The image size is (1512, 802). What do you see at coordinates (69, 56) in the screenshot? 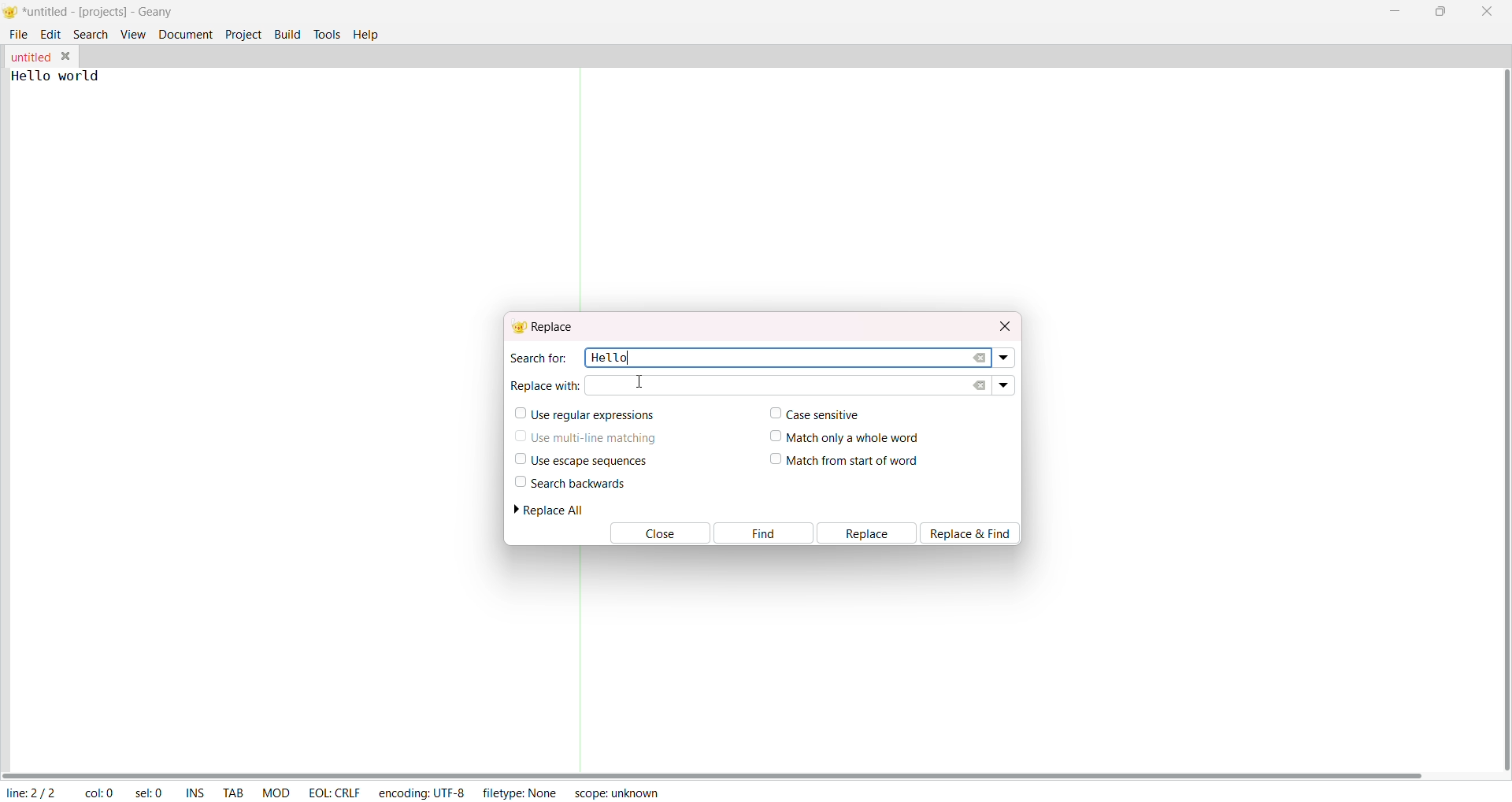
I see `close tab` at bounding box center [69, 56].